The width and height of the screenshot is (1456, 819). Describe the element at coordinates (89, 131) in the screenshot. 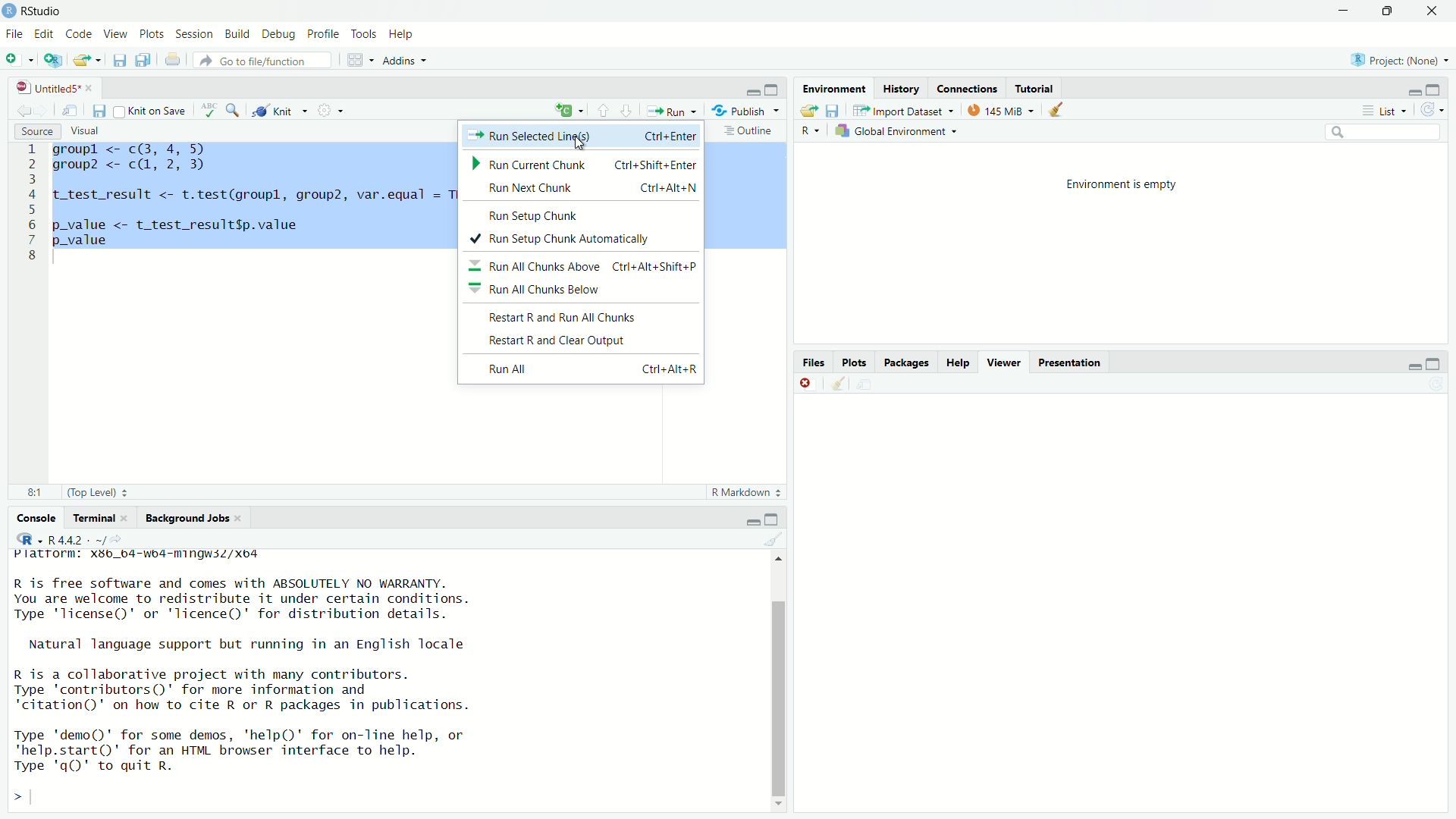

I see `Visual` at that location.